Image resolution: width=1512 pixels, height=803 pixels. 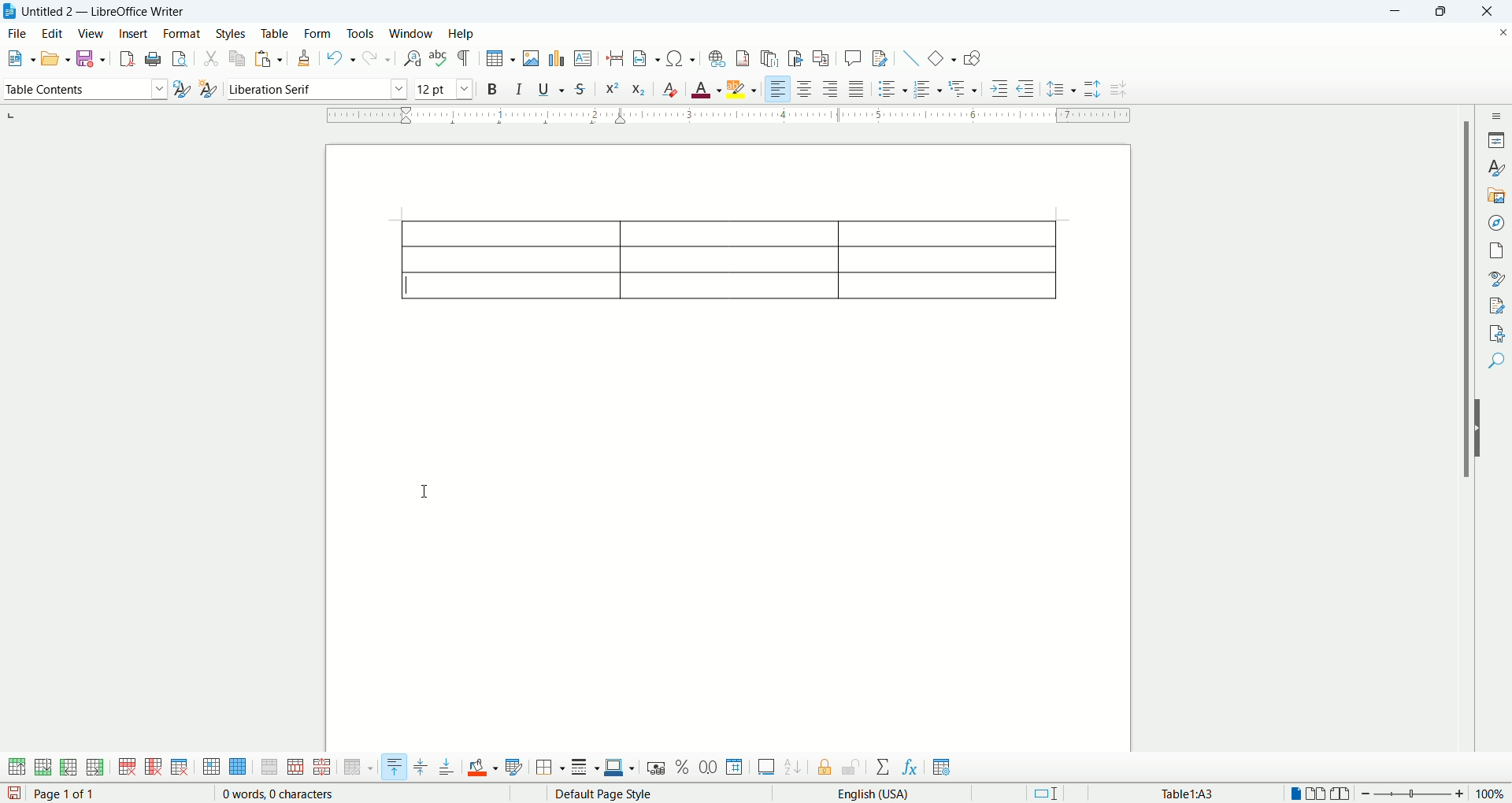 What do you see at coordinates (183, 34) in the screenshot?
I see `format` at bounding box center [183, 34].